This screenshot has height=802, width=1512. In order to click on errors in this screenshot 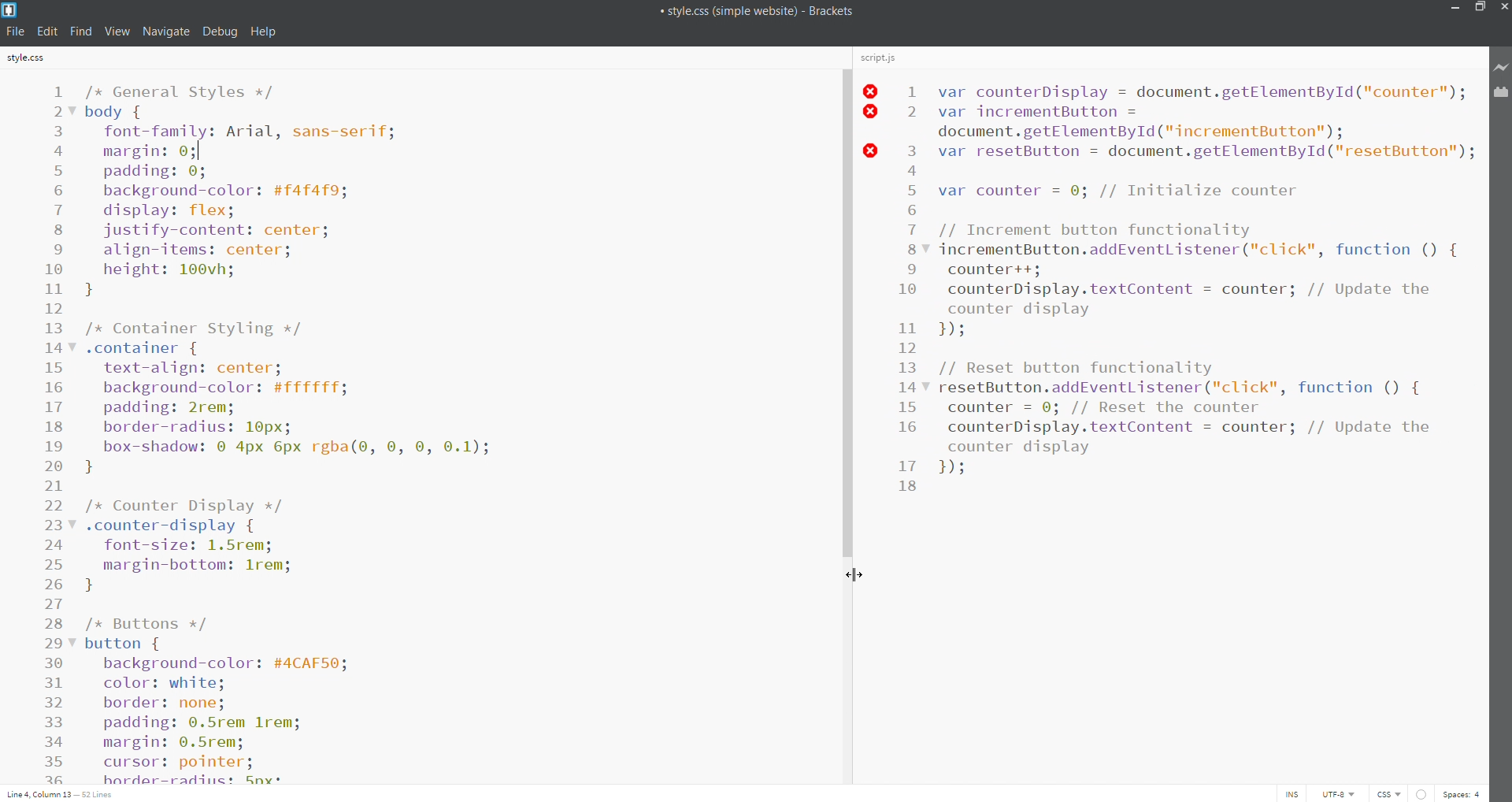, I will do `click(1422, 793)`.